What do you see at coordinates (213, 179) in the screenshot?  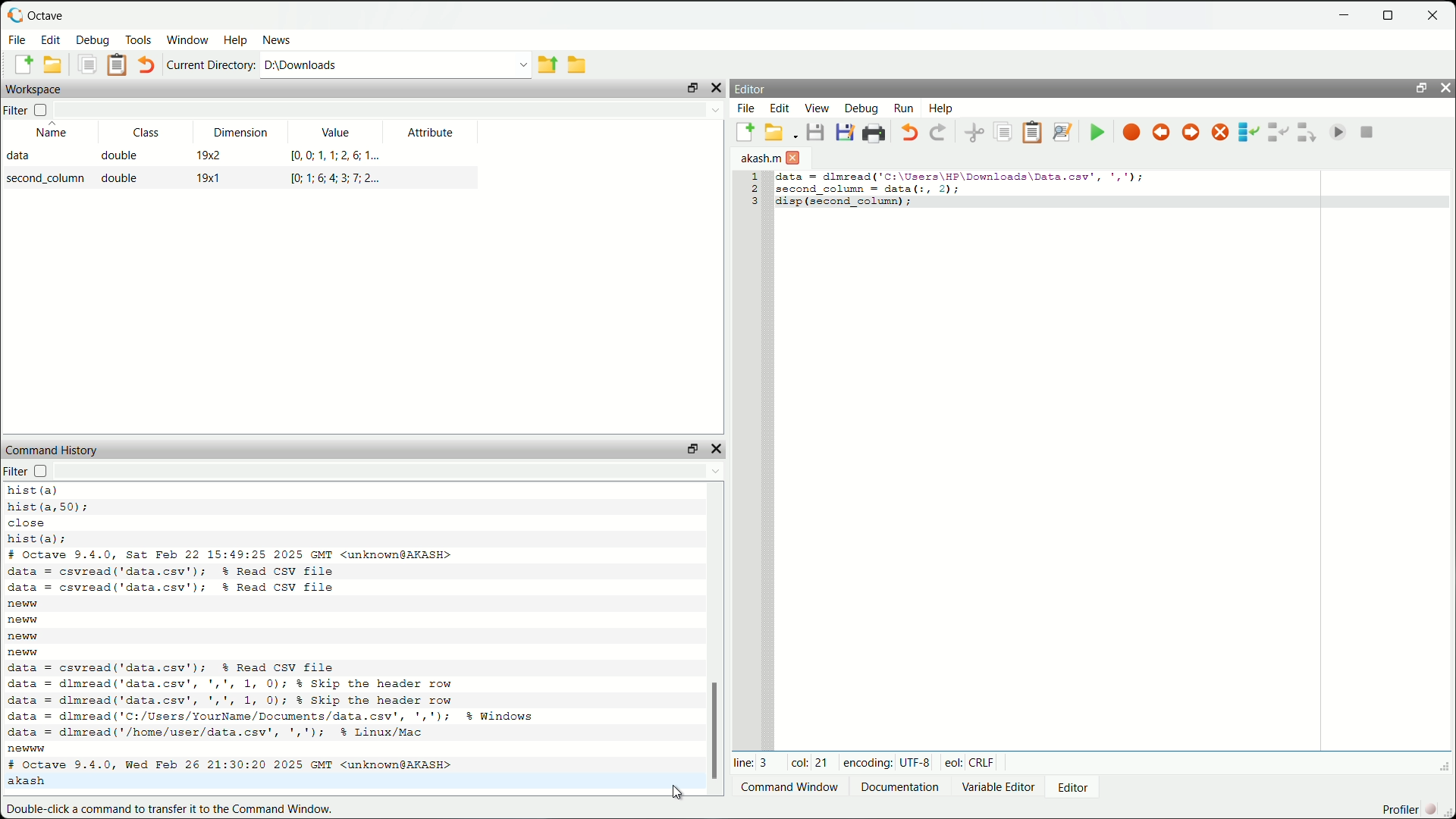 I see `19x1` at bounding box center [213, 179].